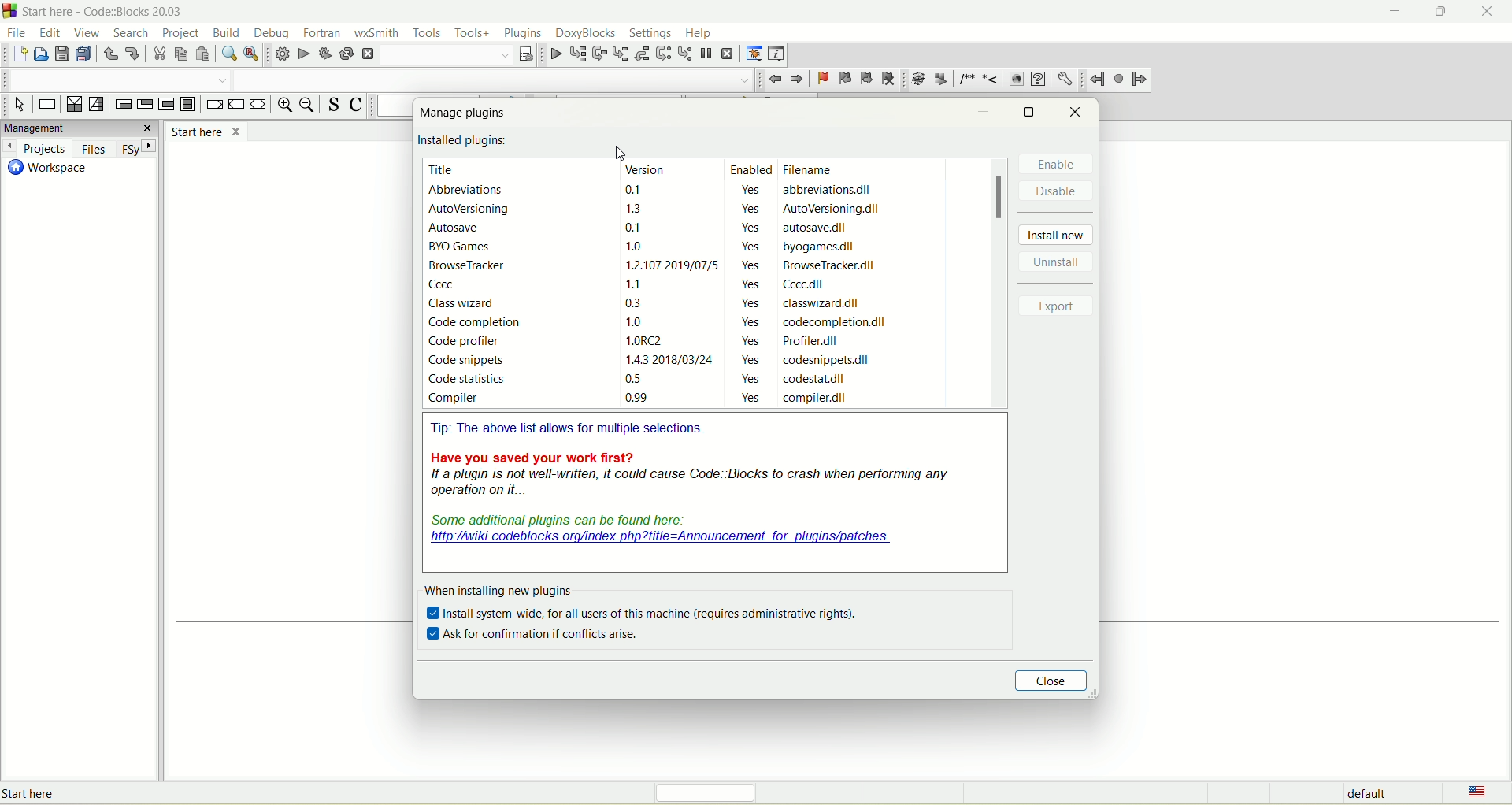  I want to click on help, so click(699, 34).